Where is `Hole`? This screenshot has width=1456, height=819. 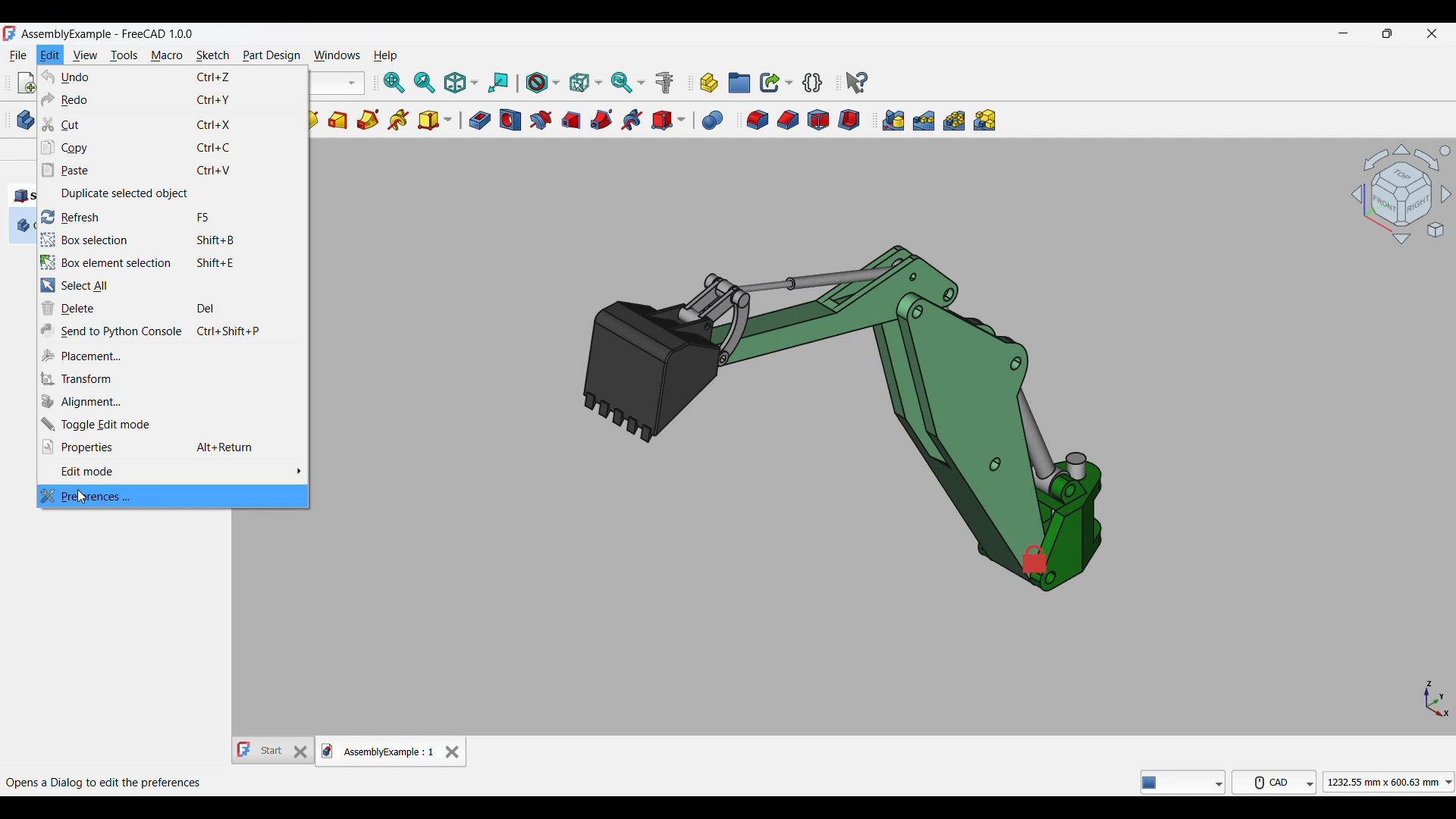 Hole is located at coordinates (510, 120).